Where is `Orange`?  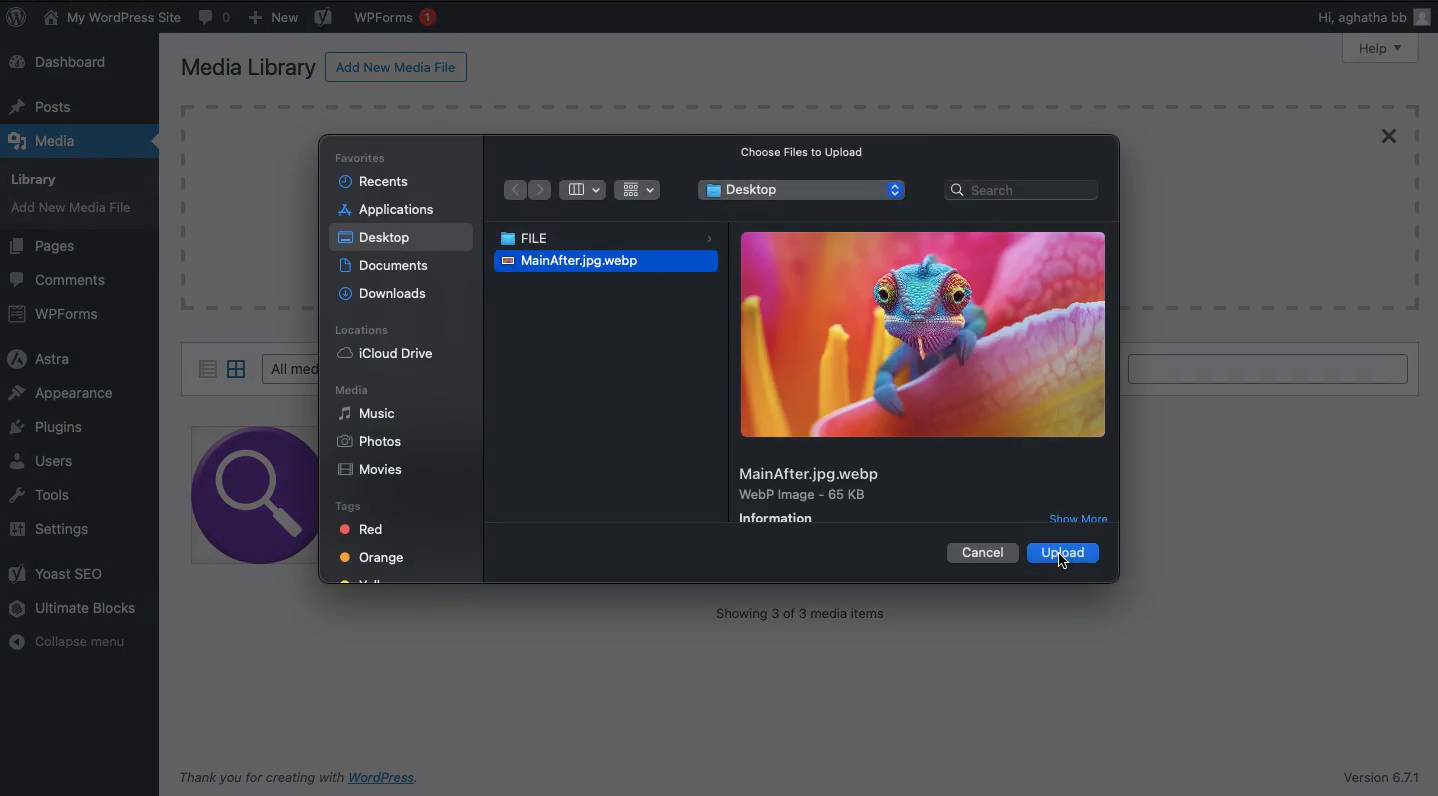
Orange is located at coordinates (372, 559).